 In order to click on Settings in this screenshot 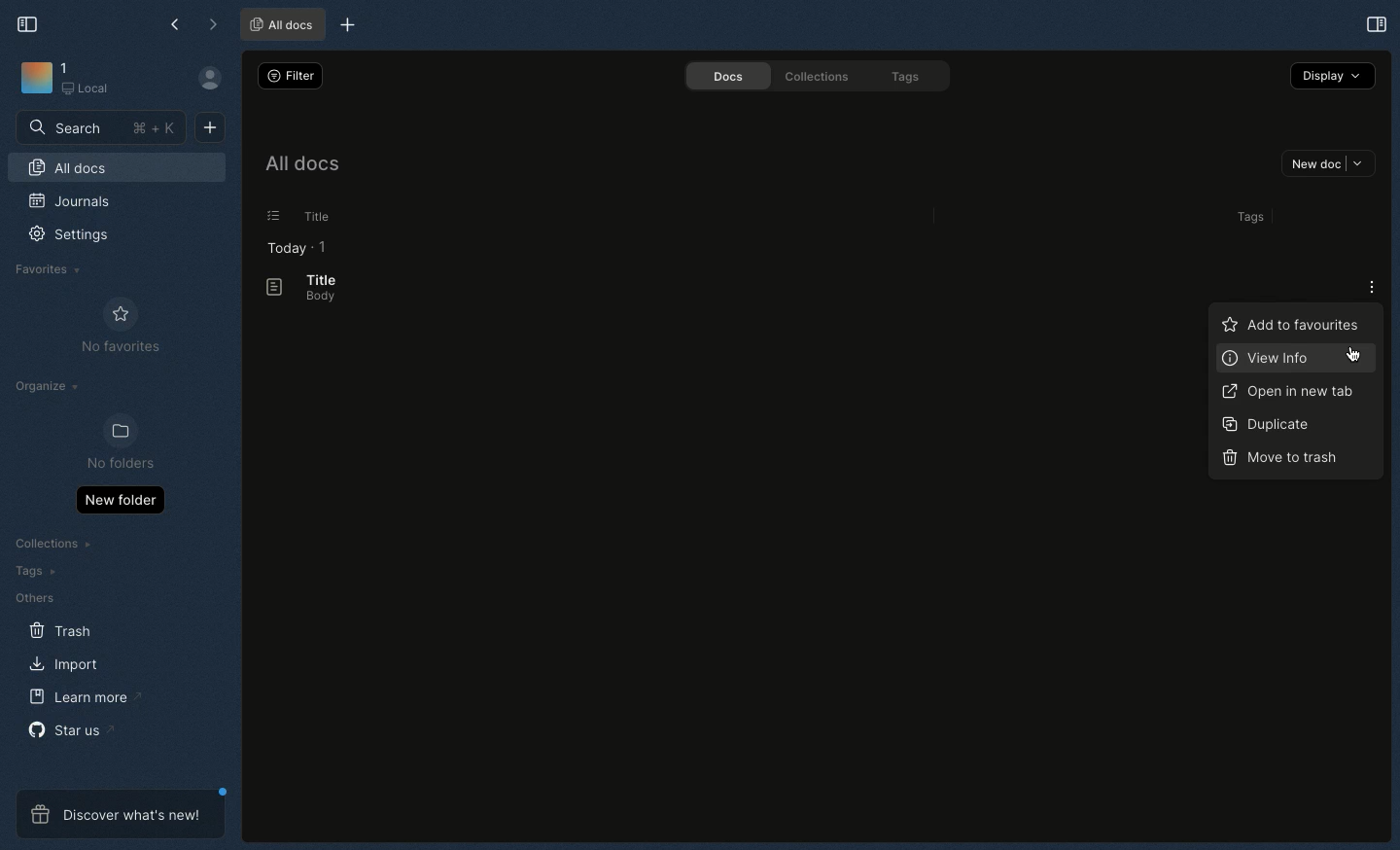, I will do `click(80, 241)`.